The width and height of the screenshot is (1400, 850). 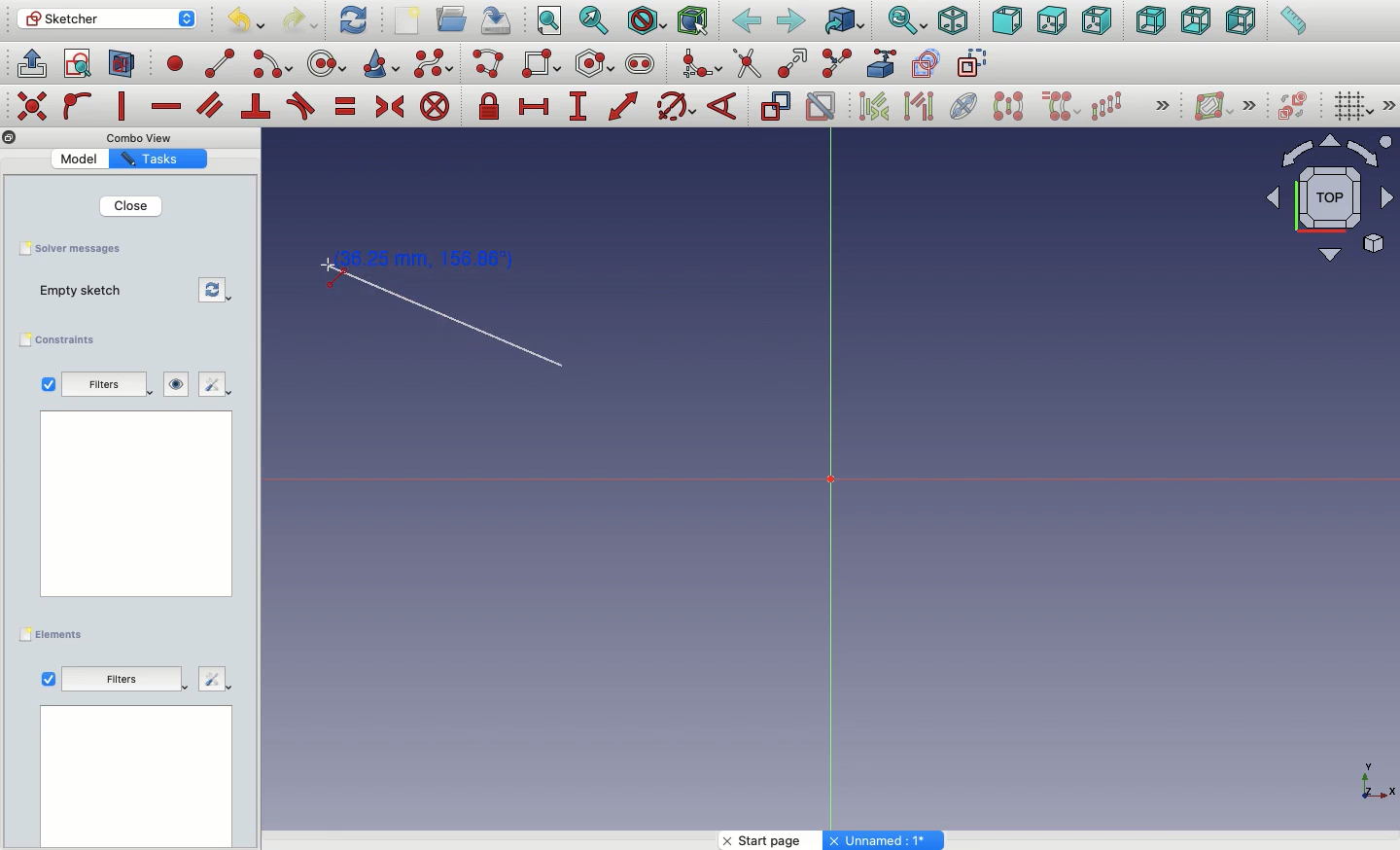 I want to click on Constrain angle, so click(x=724, y=106).